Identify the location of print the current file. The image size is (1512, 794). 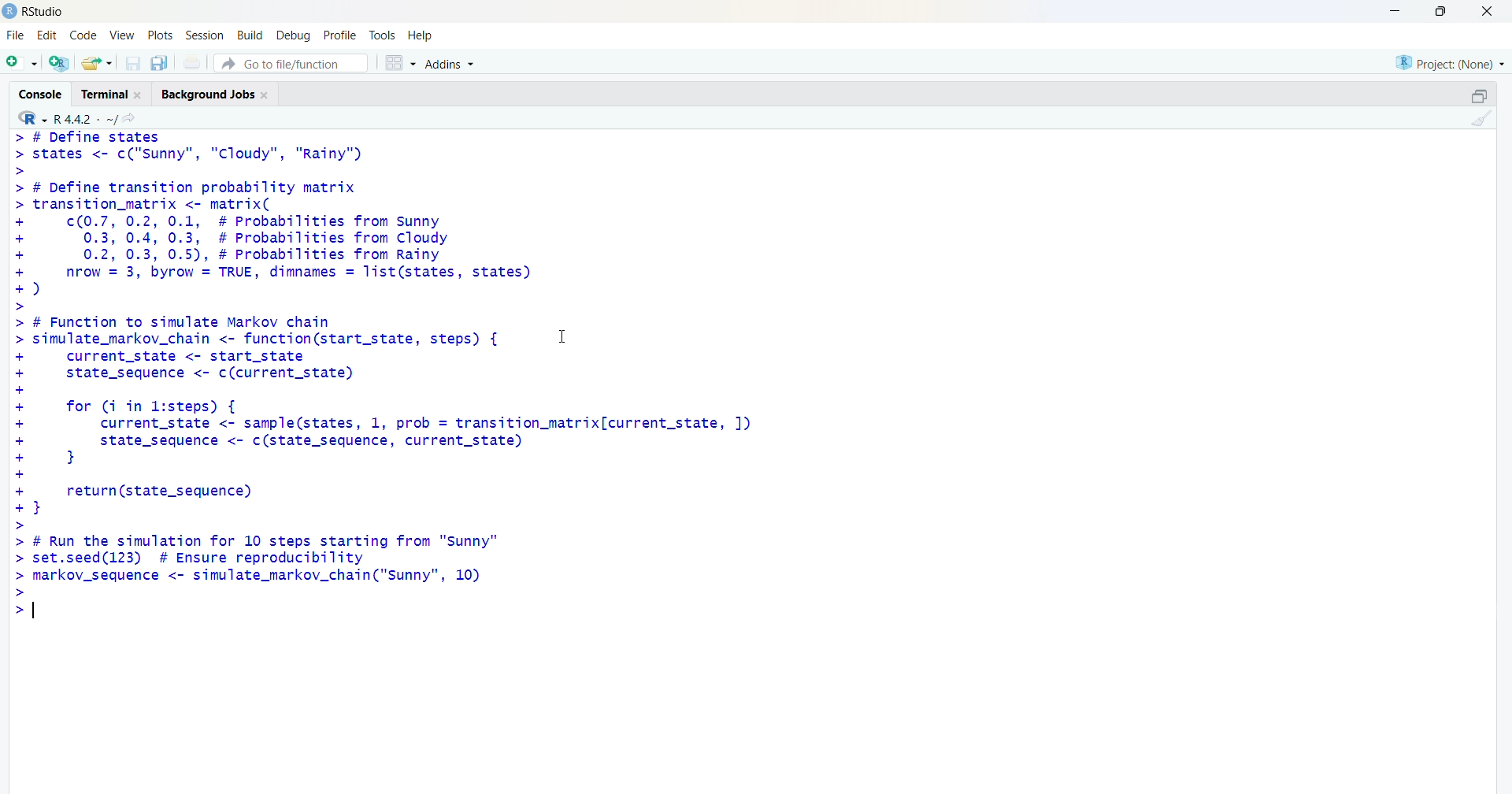
(195, 62).